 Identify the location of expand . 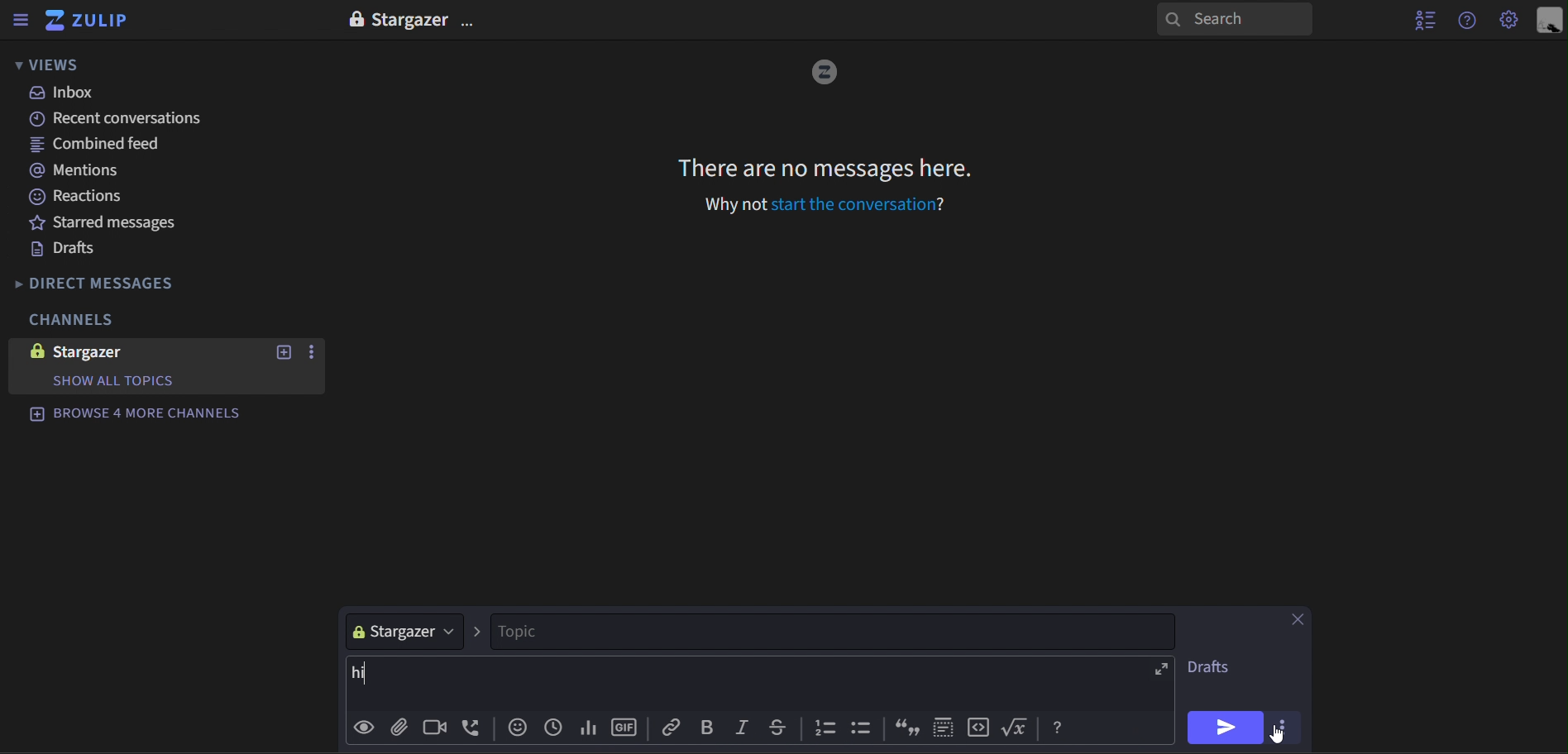
(1160, 669).